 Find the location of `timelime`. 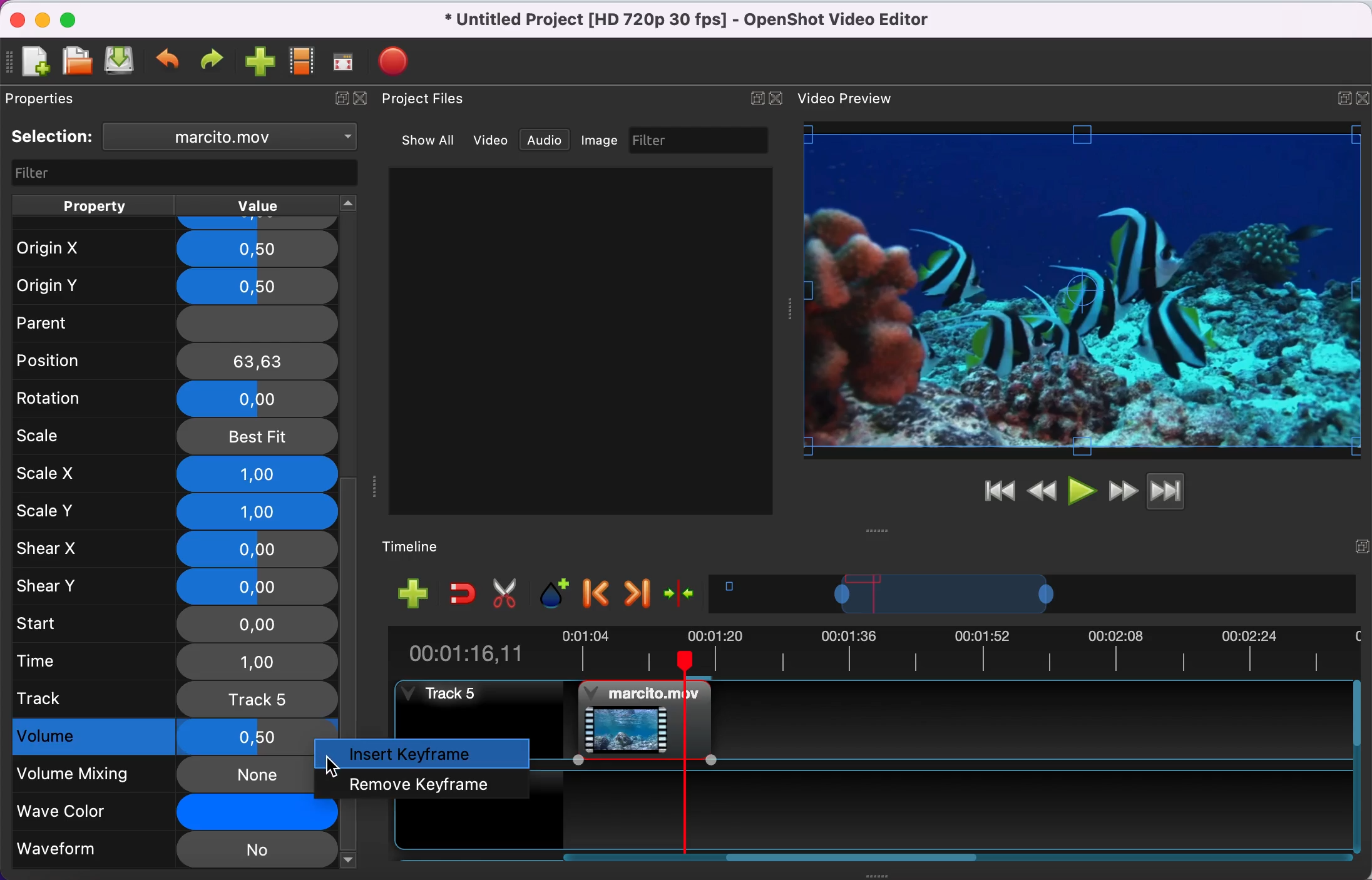

timelime is located at coordinates (421, 546).